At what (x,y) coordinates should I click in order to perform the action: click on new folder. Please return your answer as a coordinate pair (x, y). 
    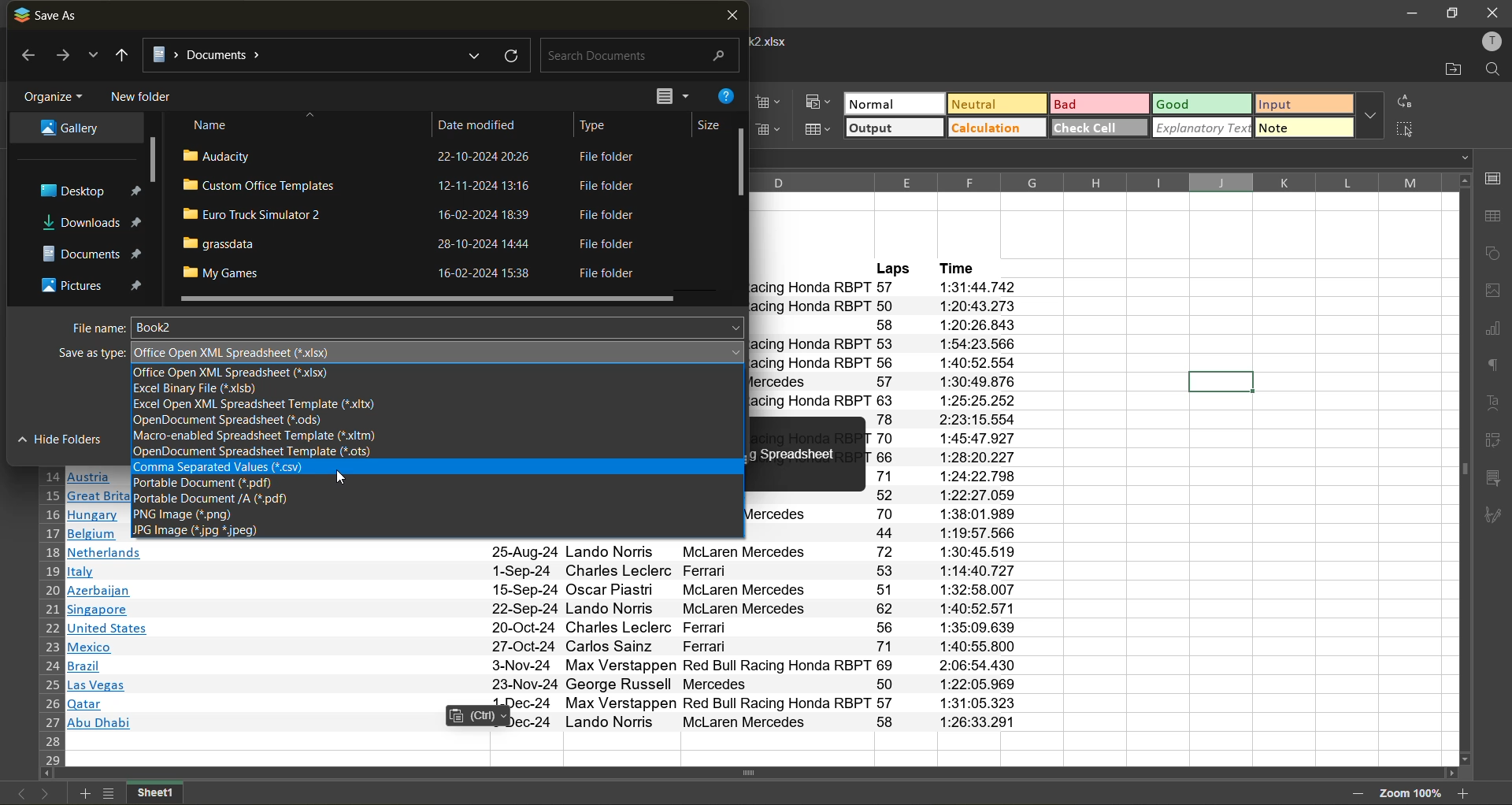
    Looking at the image, I should click on (143, 95).